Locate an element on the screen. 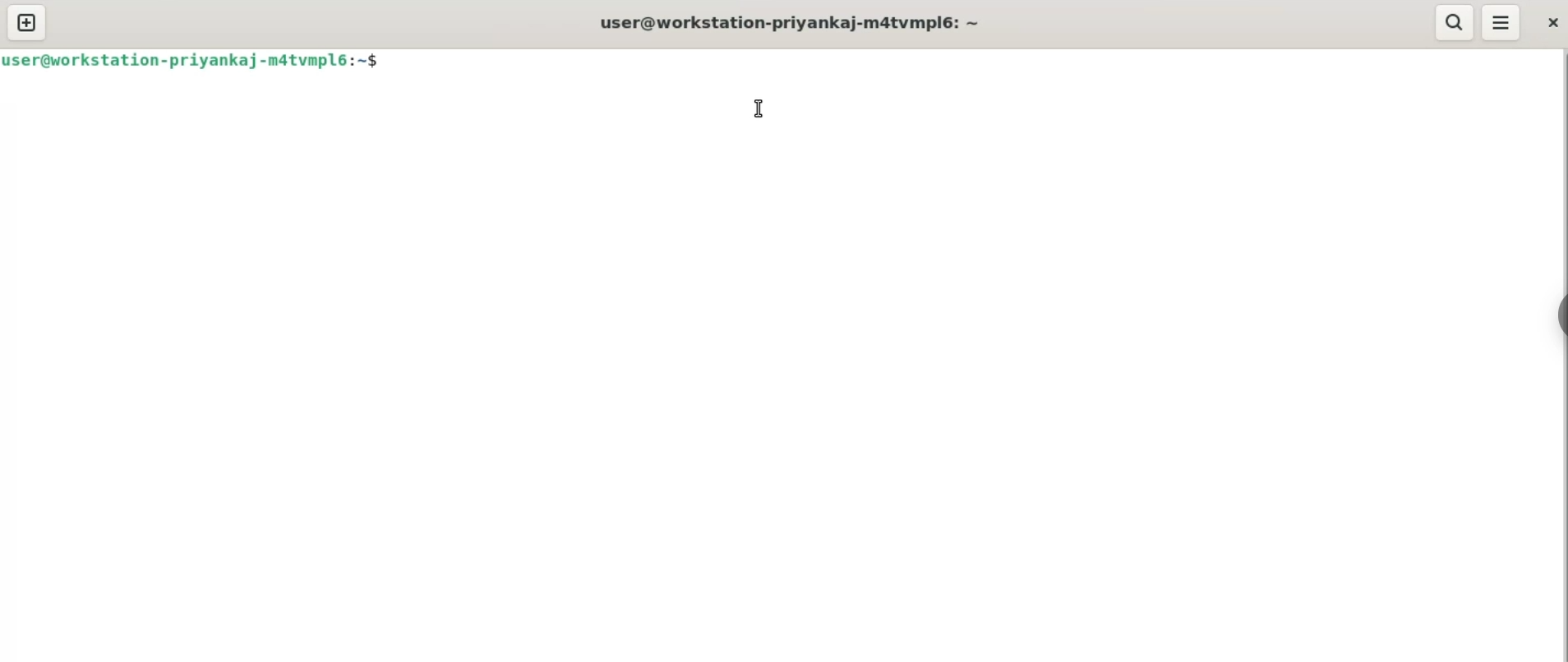  search is located at coordinates (1454, 23).